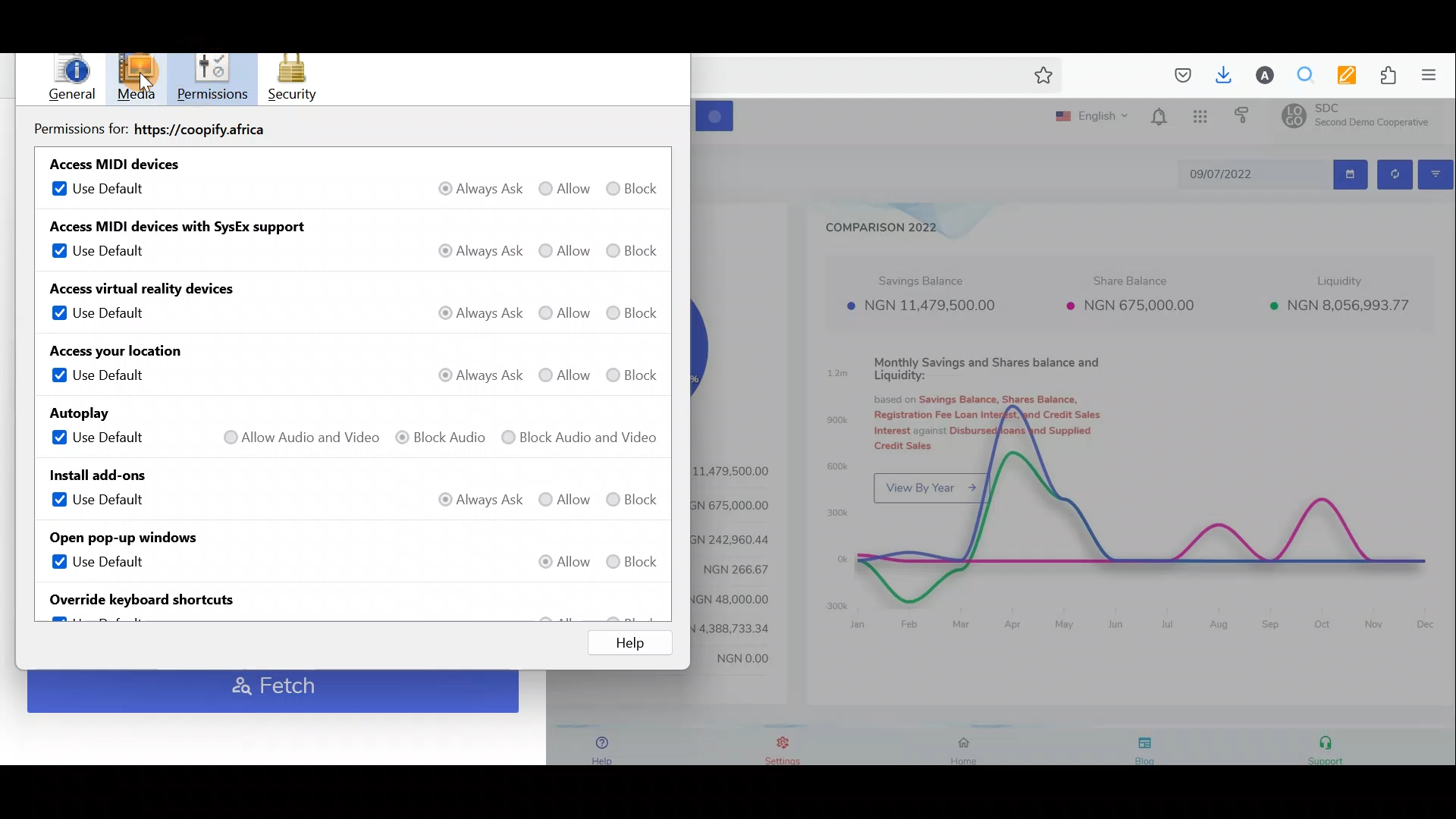 Image resolution: width=1456 pixels, height=819 pixels. What do you see at coordinates (1300, 76) in the screenshot?
I see `Multiple search & highlight` at bounding box center [1300, 76].